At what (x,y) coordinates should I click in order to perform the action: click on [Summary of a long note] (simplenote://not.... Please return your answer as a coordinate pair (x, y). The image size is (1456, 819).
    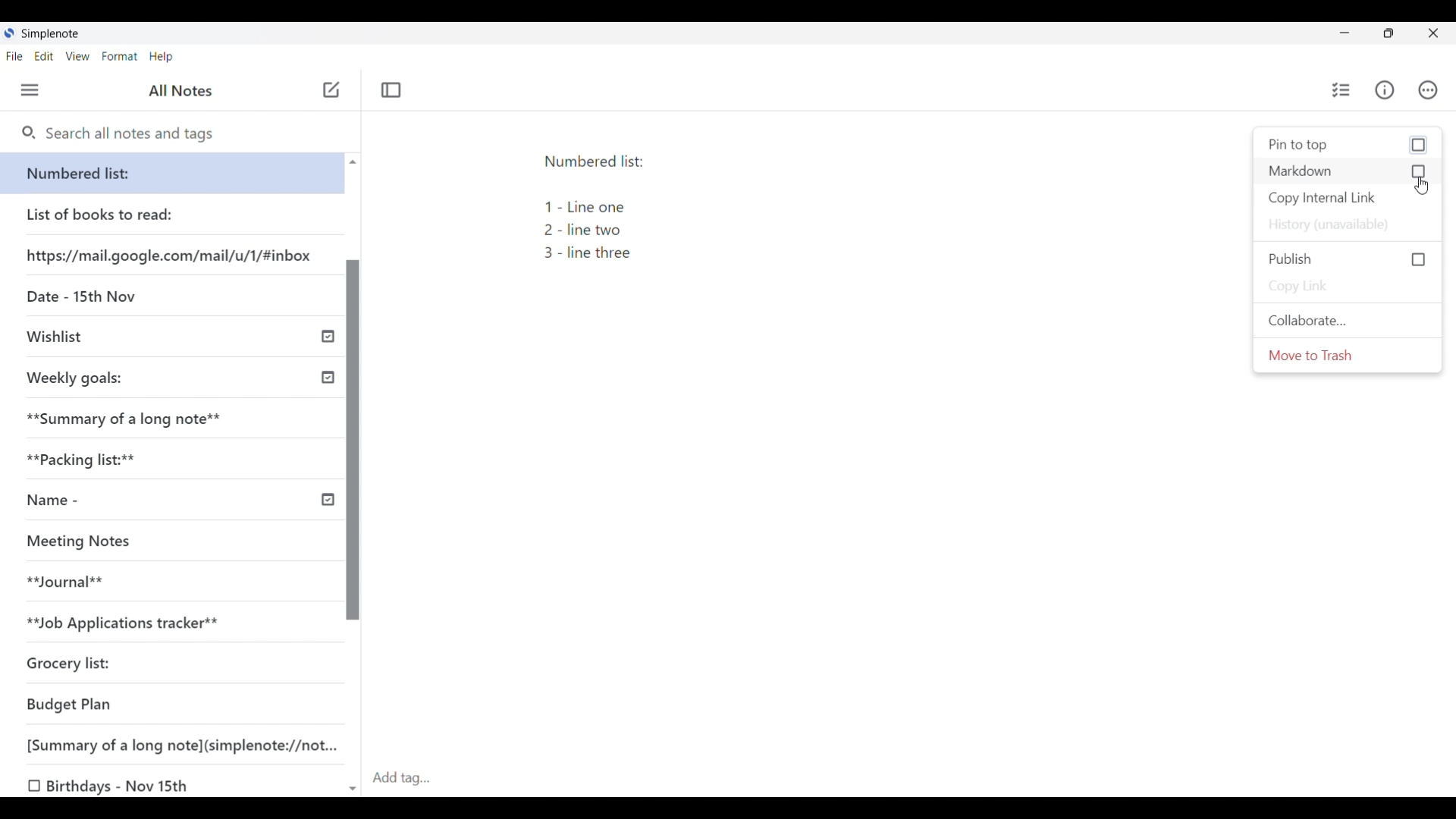
    Looking at the image, I should click on (171, 743).